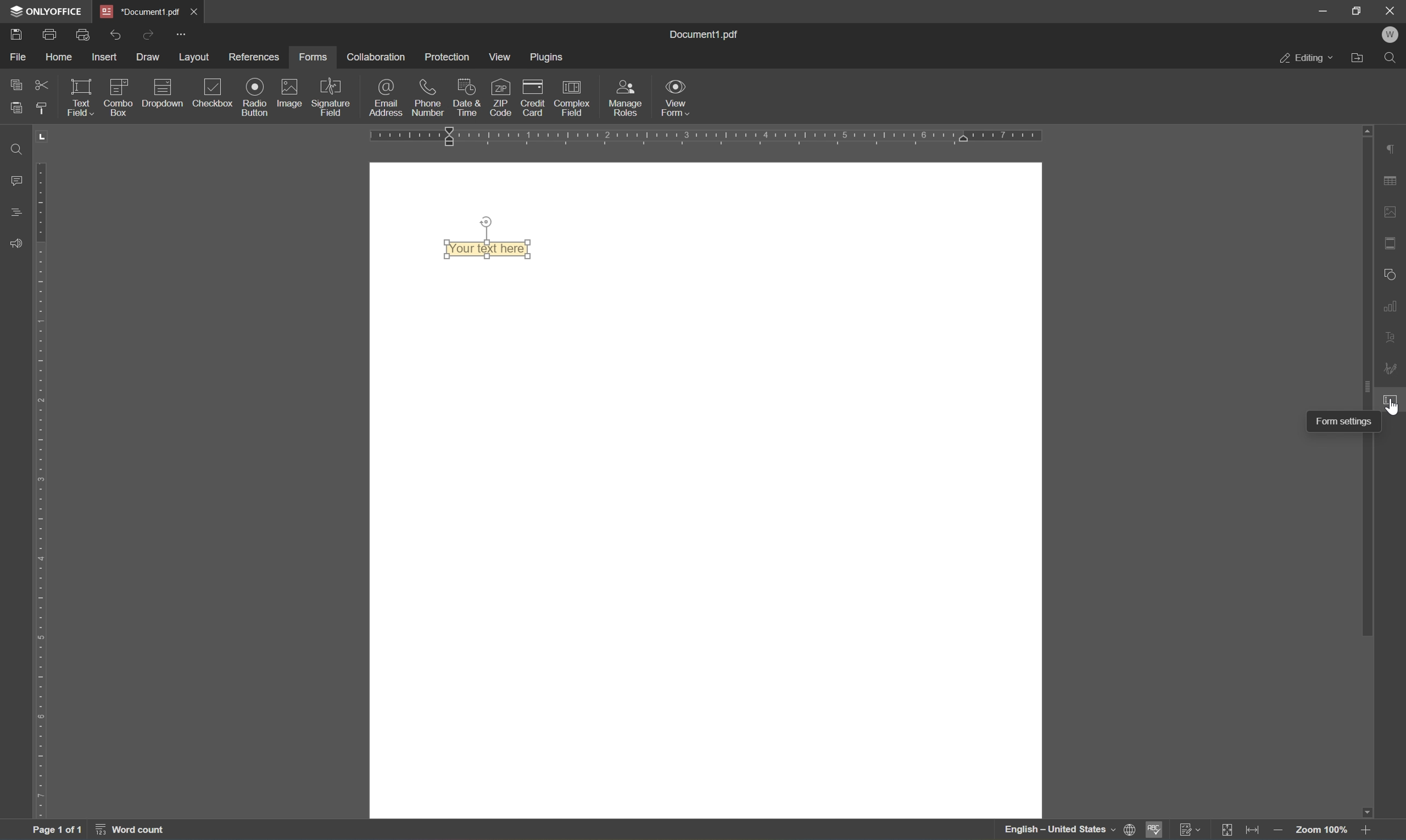 The width and height of the screenshot is (1406, 840). What do you see at coordinates (162, 85) in the screenshot?
I see `icon` at bounding box center [162, 85].